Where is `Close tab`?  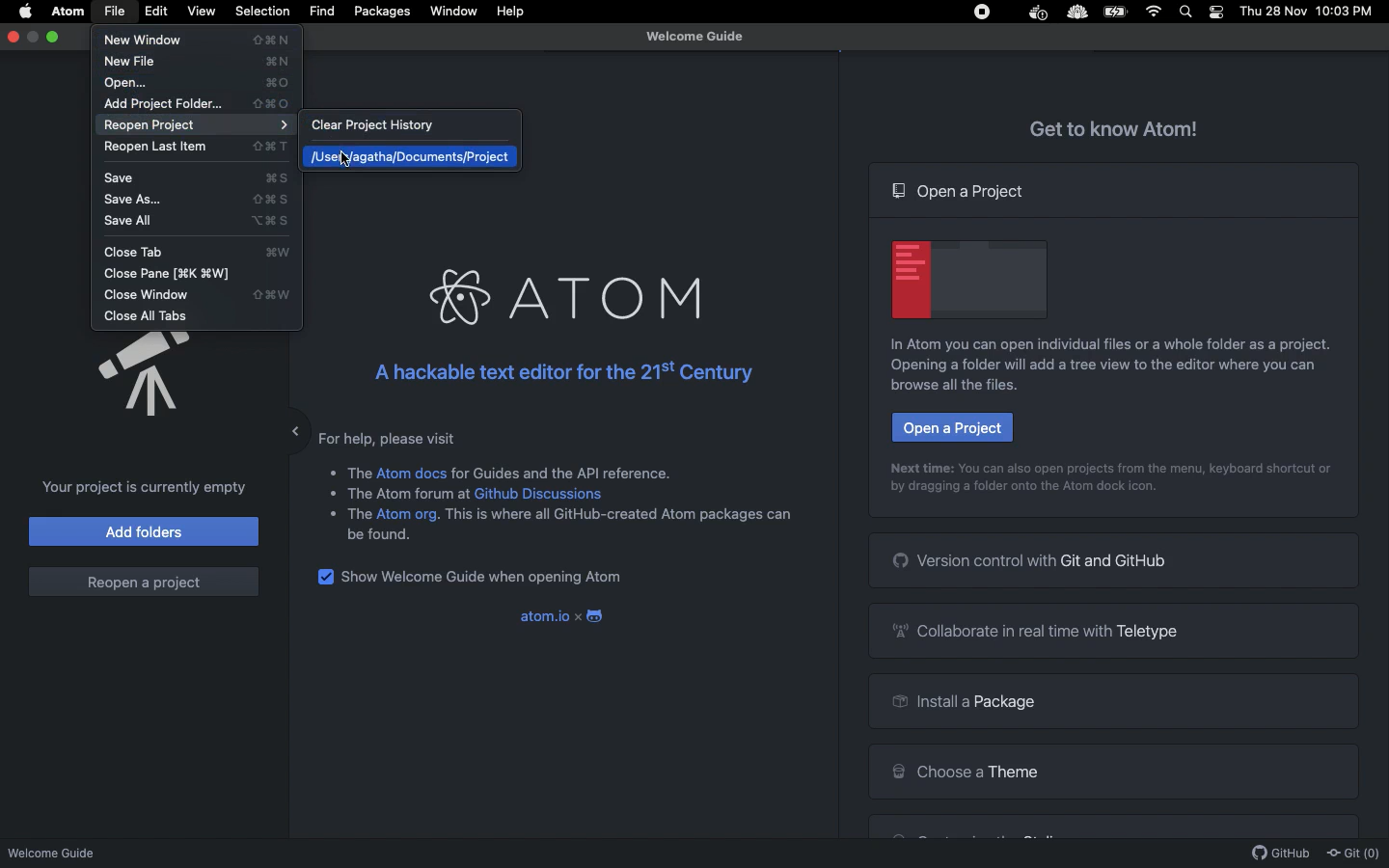
Close tab is located at coordinates (203, 252).